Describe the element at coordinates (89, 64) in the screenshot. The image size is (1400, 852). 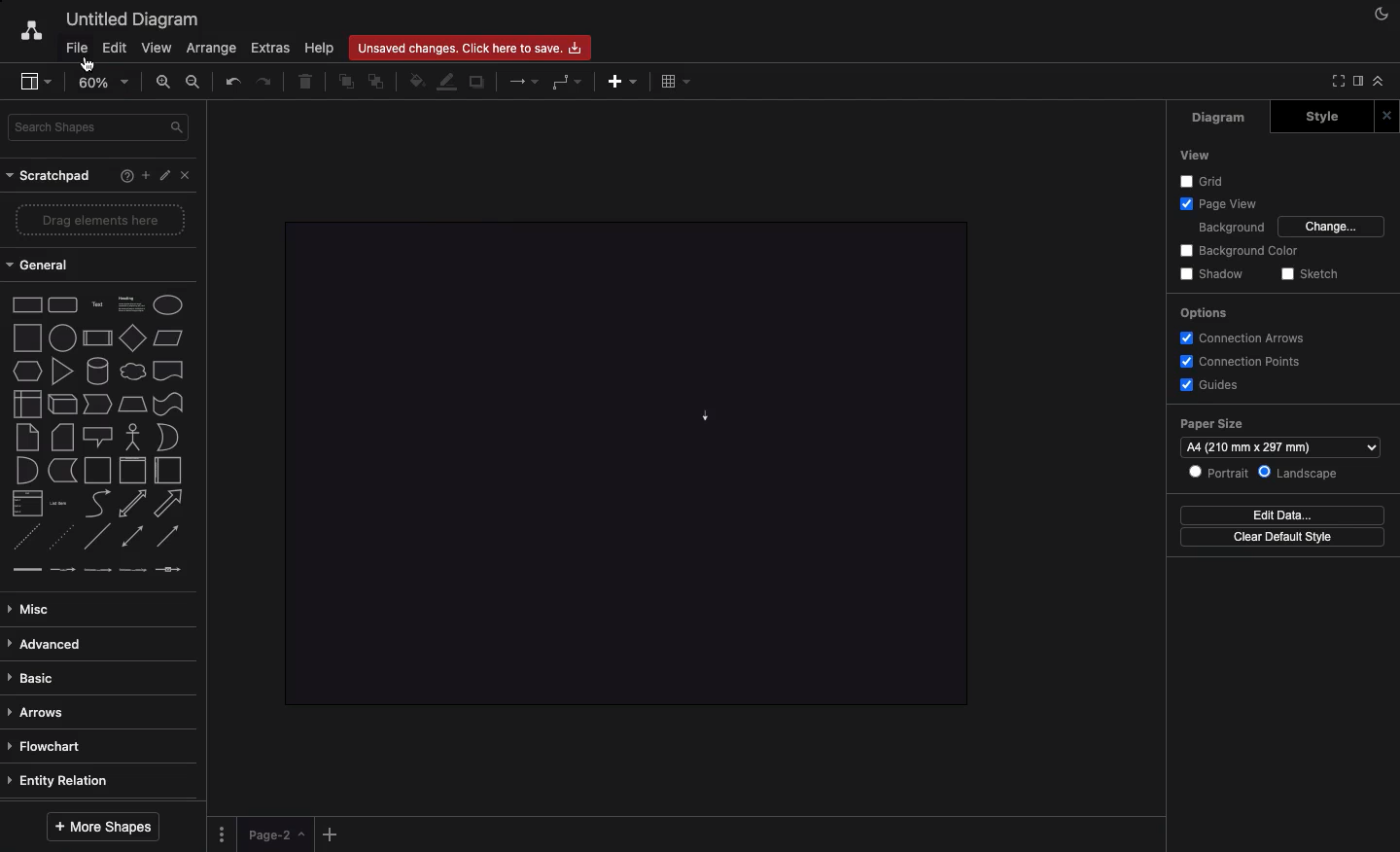
I see `Cursor` at that location.